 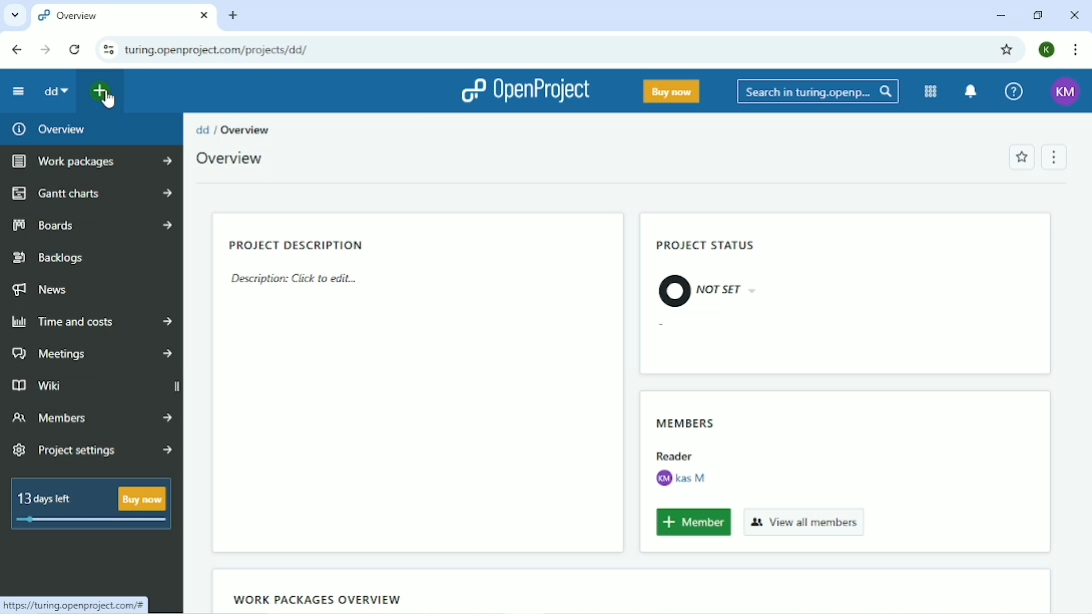 What do you see at coordinates (205, 17) in the screenshot?
I see `close` at bounding box center [205, 17].